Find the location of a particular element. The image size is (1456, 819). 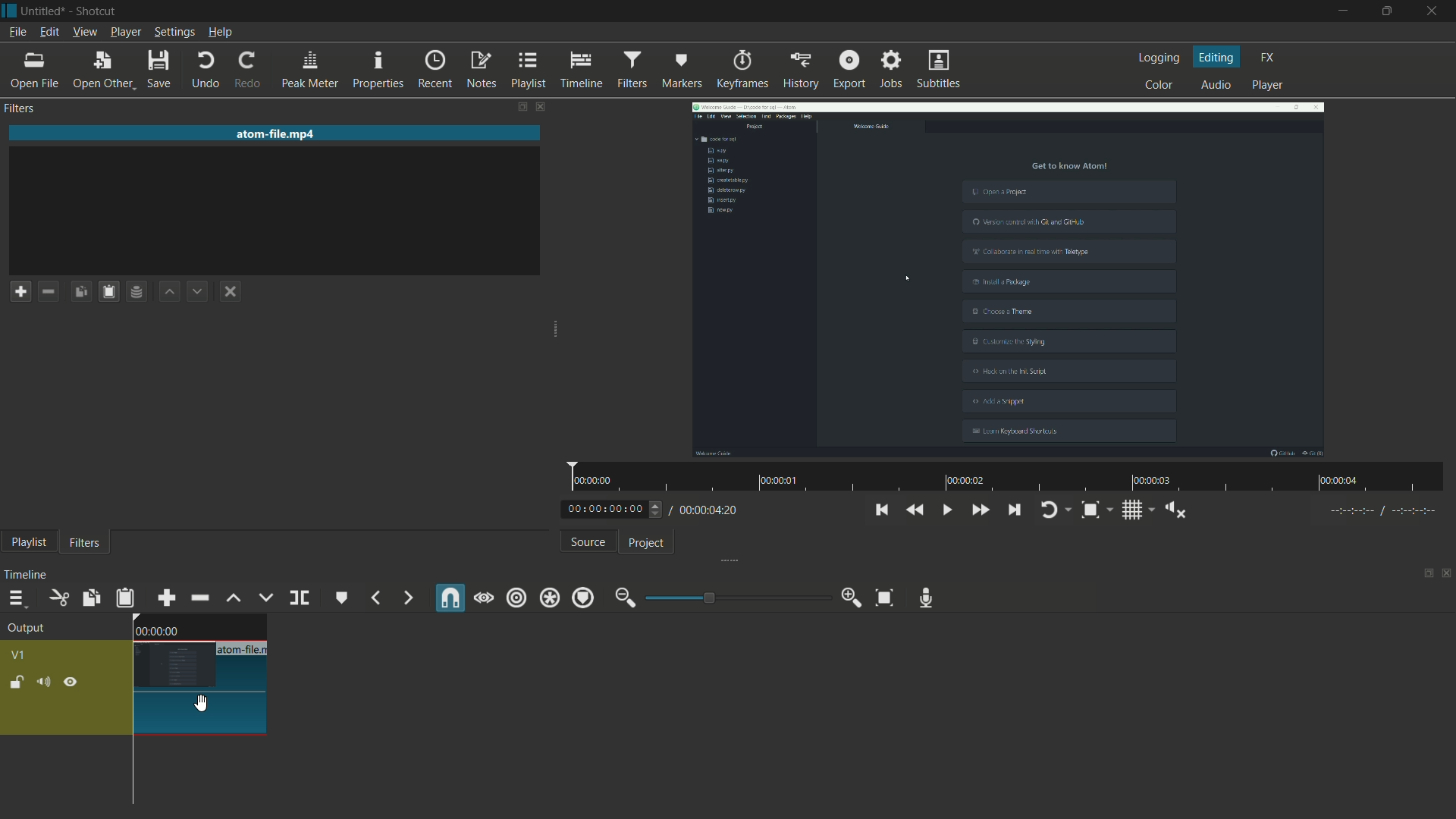

view menu is located at coordinates (84, 32).